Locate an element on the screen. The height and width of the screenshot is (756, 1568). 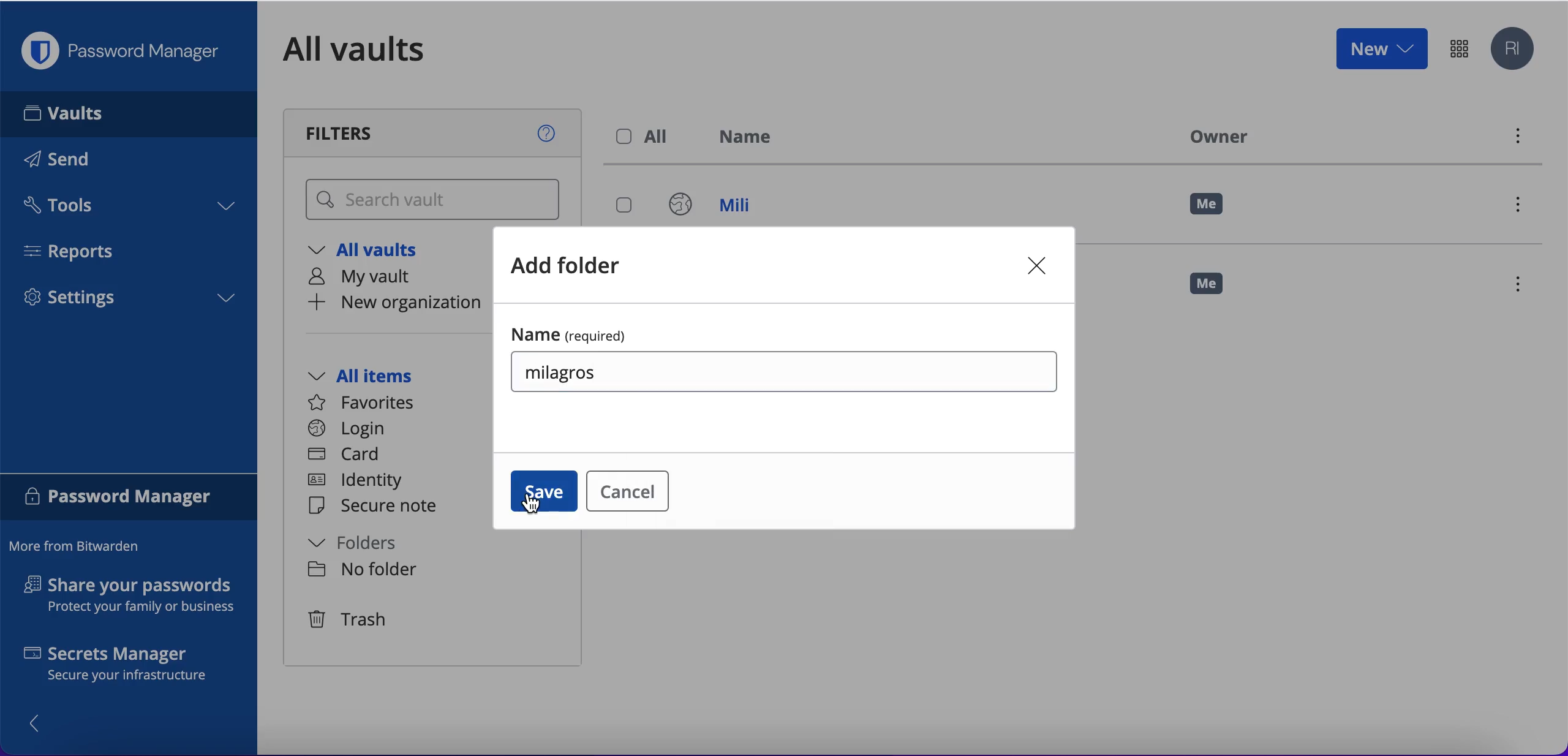
name is located at coordinates (753, 139).